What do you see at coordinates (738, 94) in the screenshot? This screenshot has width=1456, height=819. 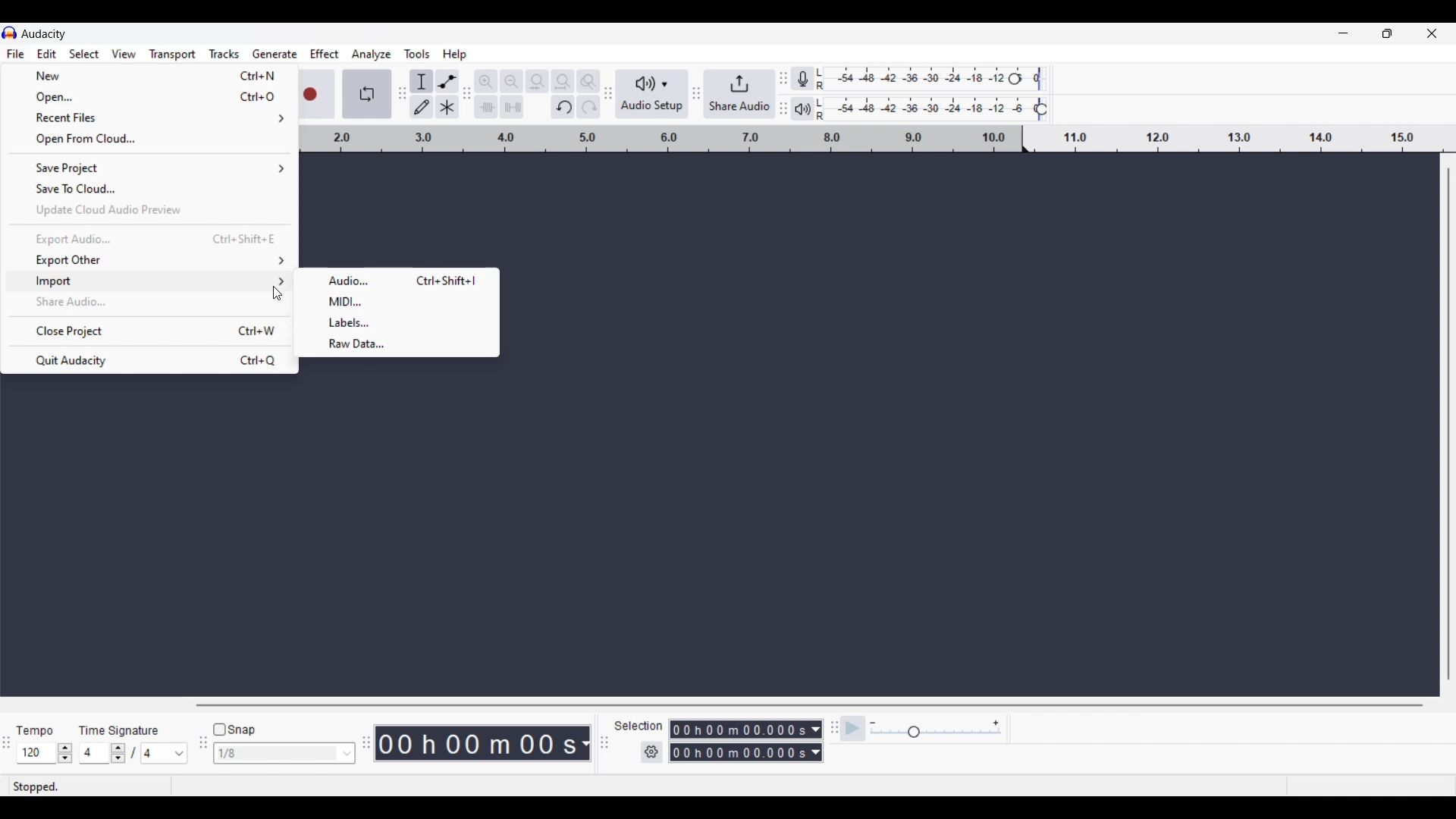 I see `Share audio` at bounding box center [738, 94].